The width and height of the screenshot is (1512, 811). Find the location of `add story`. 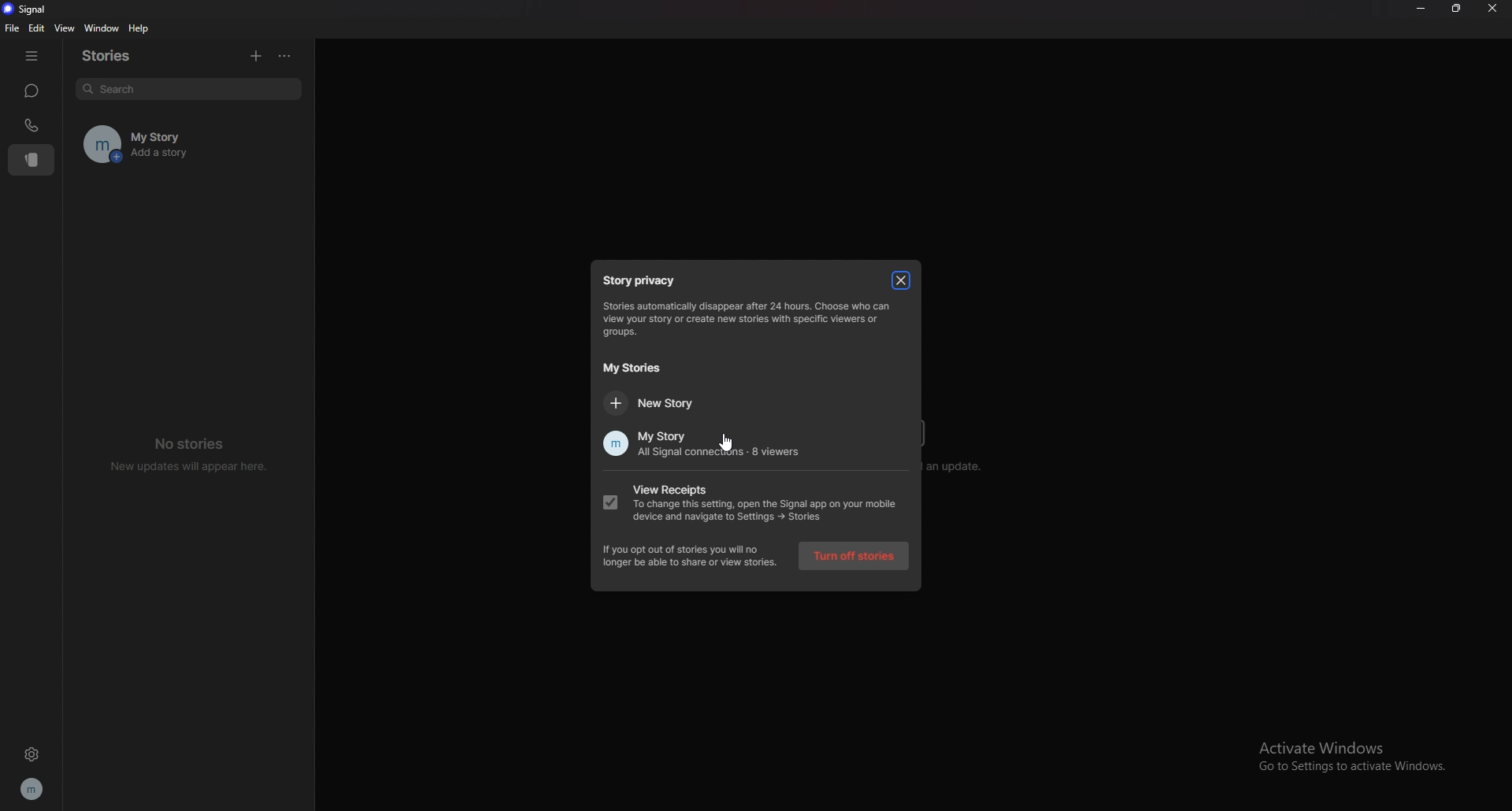

add story is located at coordinates (252, 54).